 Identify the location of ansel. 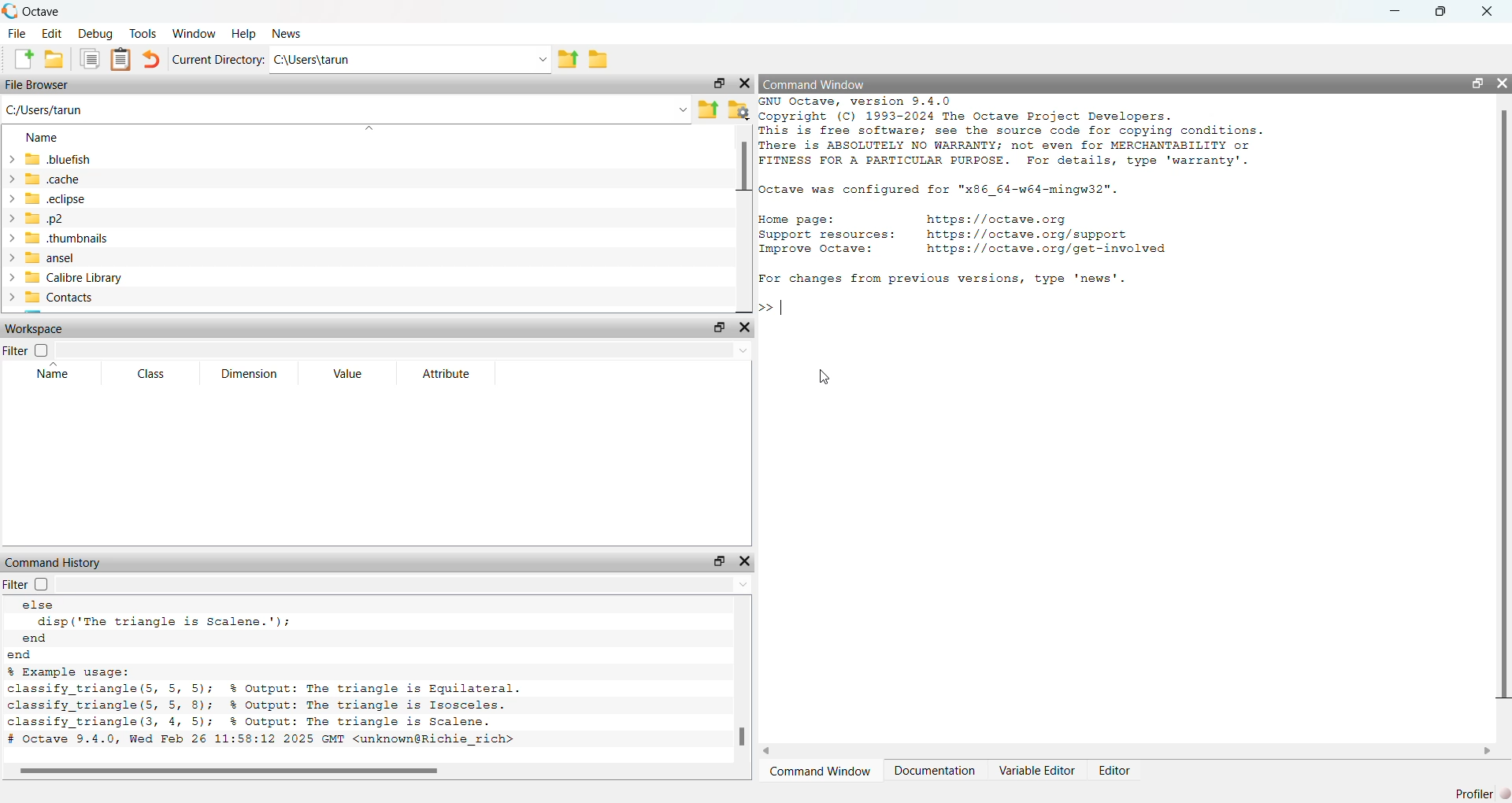
(67, 257).